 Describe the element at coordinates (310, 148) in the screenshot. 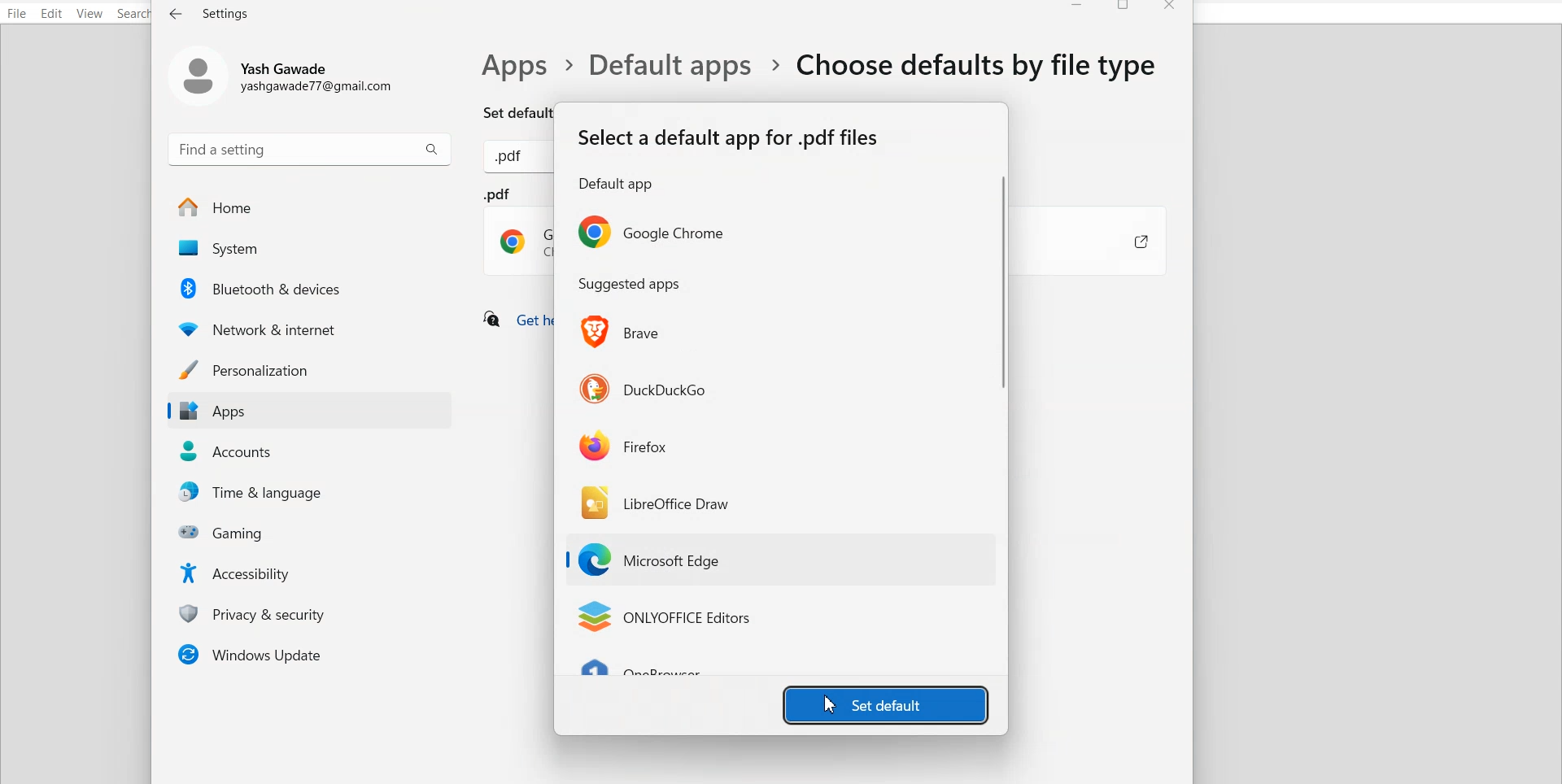

I see `Search bar` at that location.